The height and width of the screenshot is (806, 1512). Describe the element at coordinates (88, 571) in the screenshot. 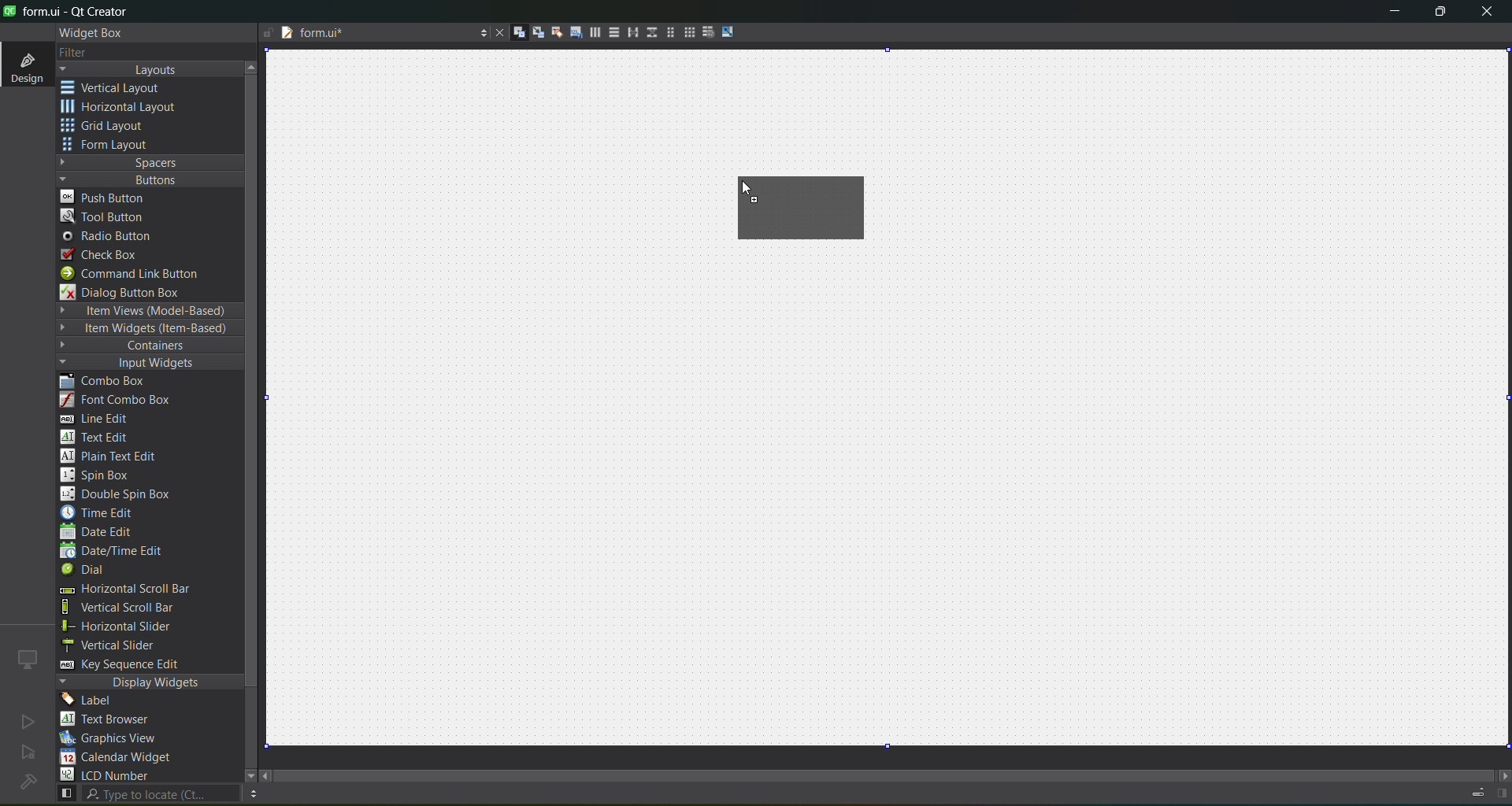

I see `dial` at that location.